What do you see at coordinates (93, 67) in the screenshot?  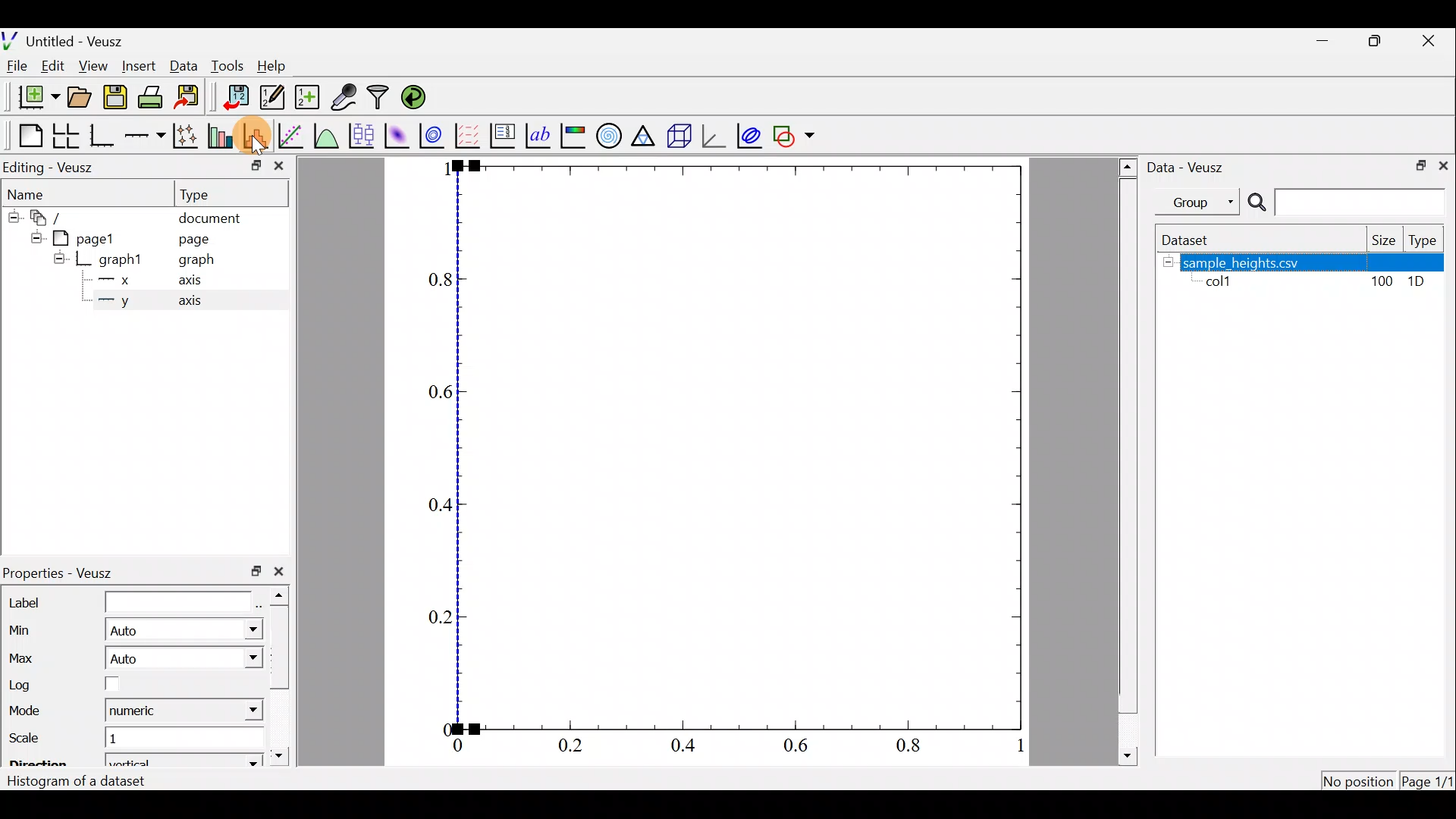 I see `View` at bounding box center [93, 67].